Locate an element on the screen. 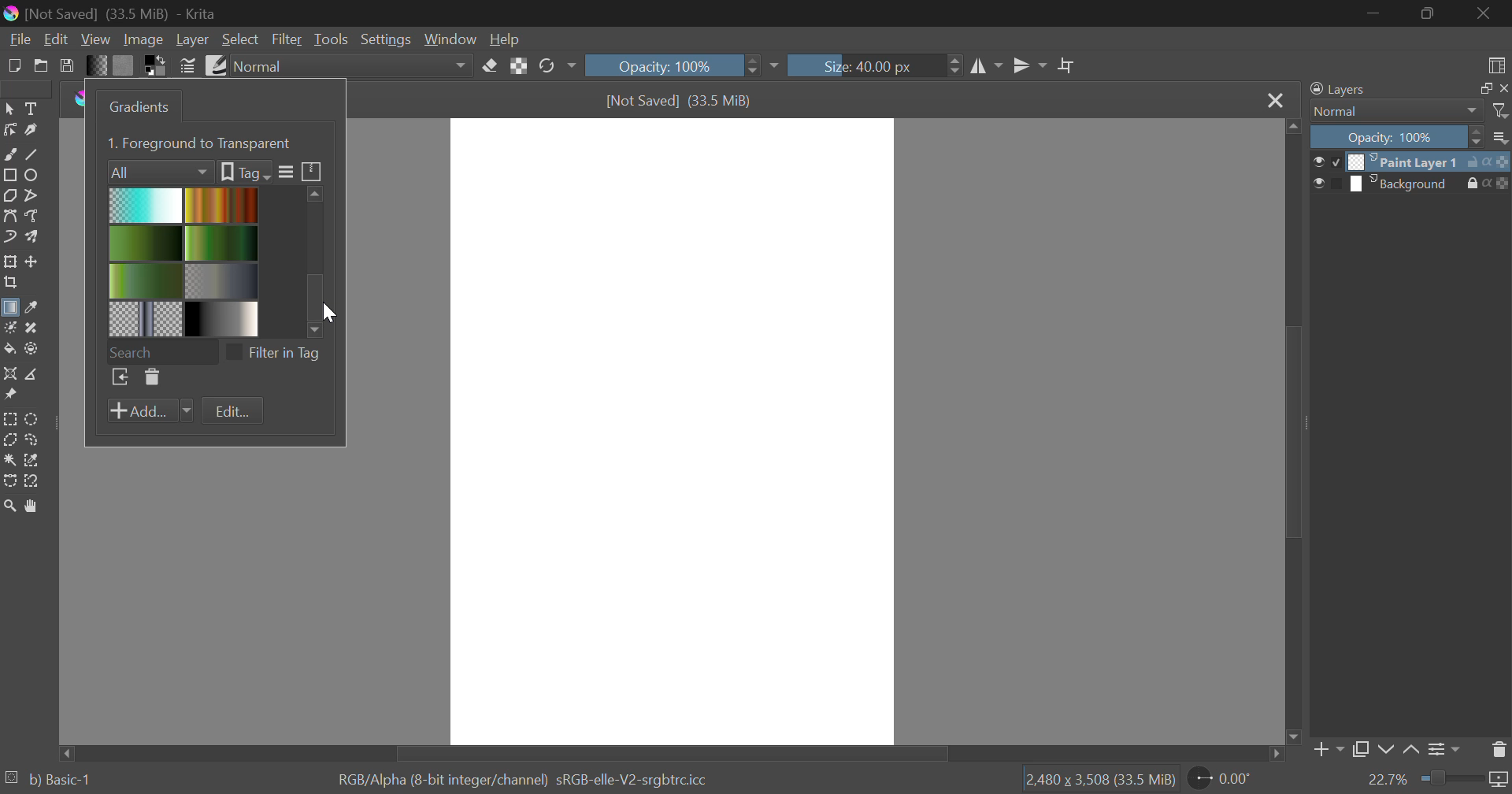  Window is located at coordinates (449, 39).